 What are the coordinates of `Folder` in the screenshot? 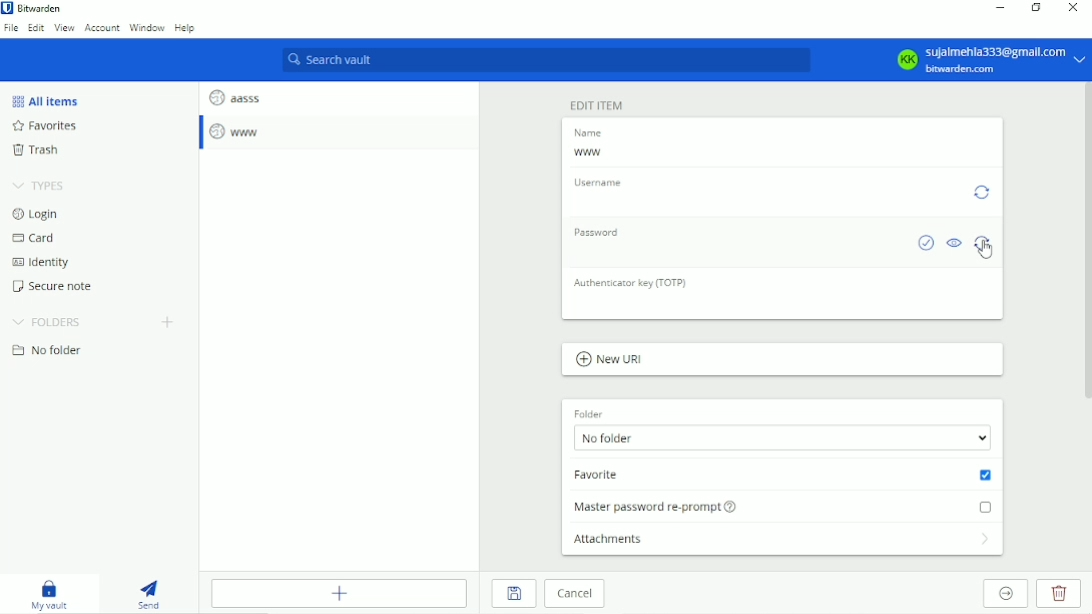 It's located at (588, 411).